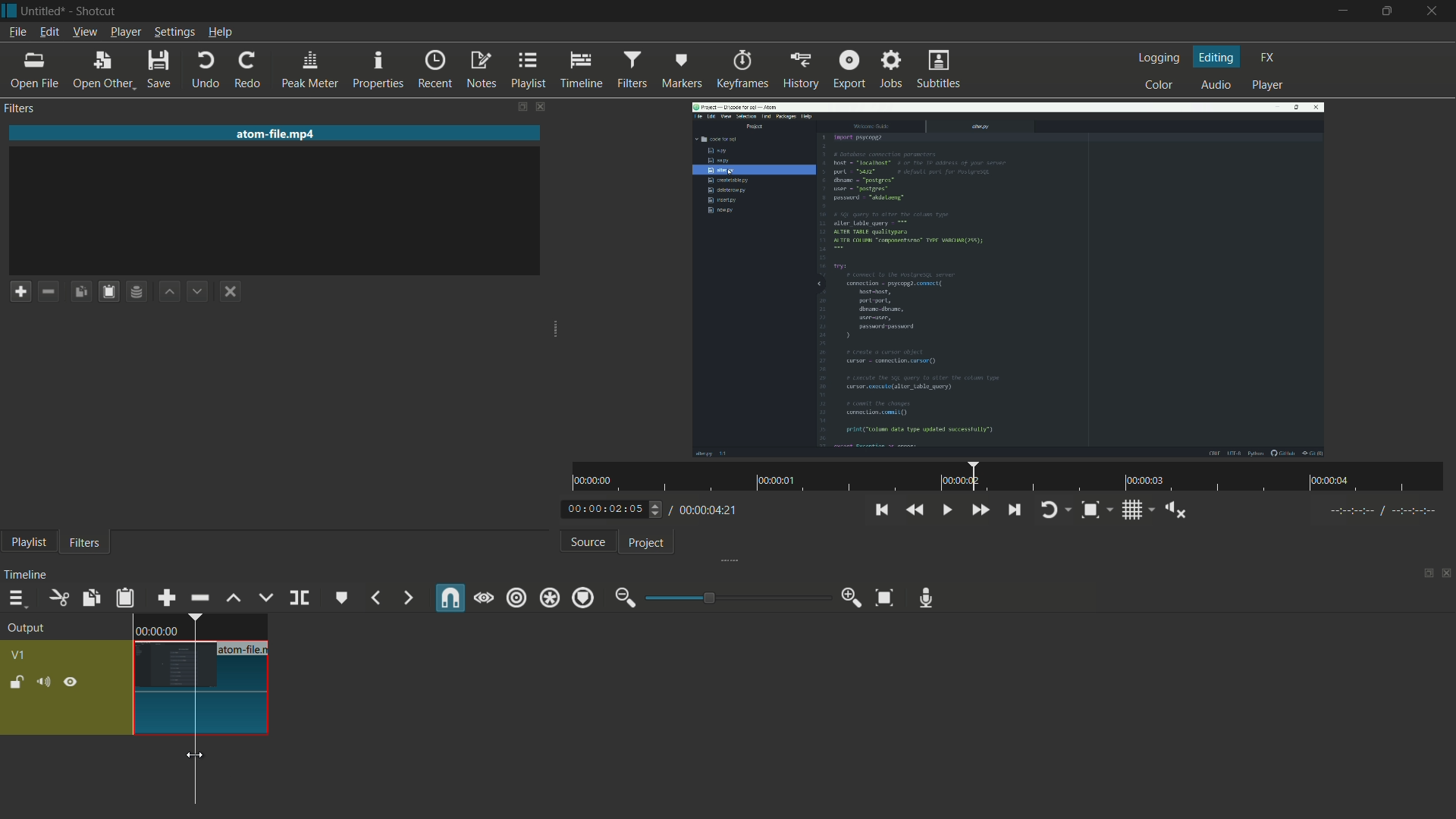 The image size is (1456, 819). Describe the element at coordinates (742, 71) in the screenshot. I see `keyframes` at that location.